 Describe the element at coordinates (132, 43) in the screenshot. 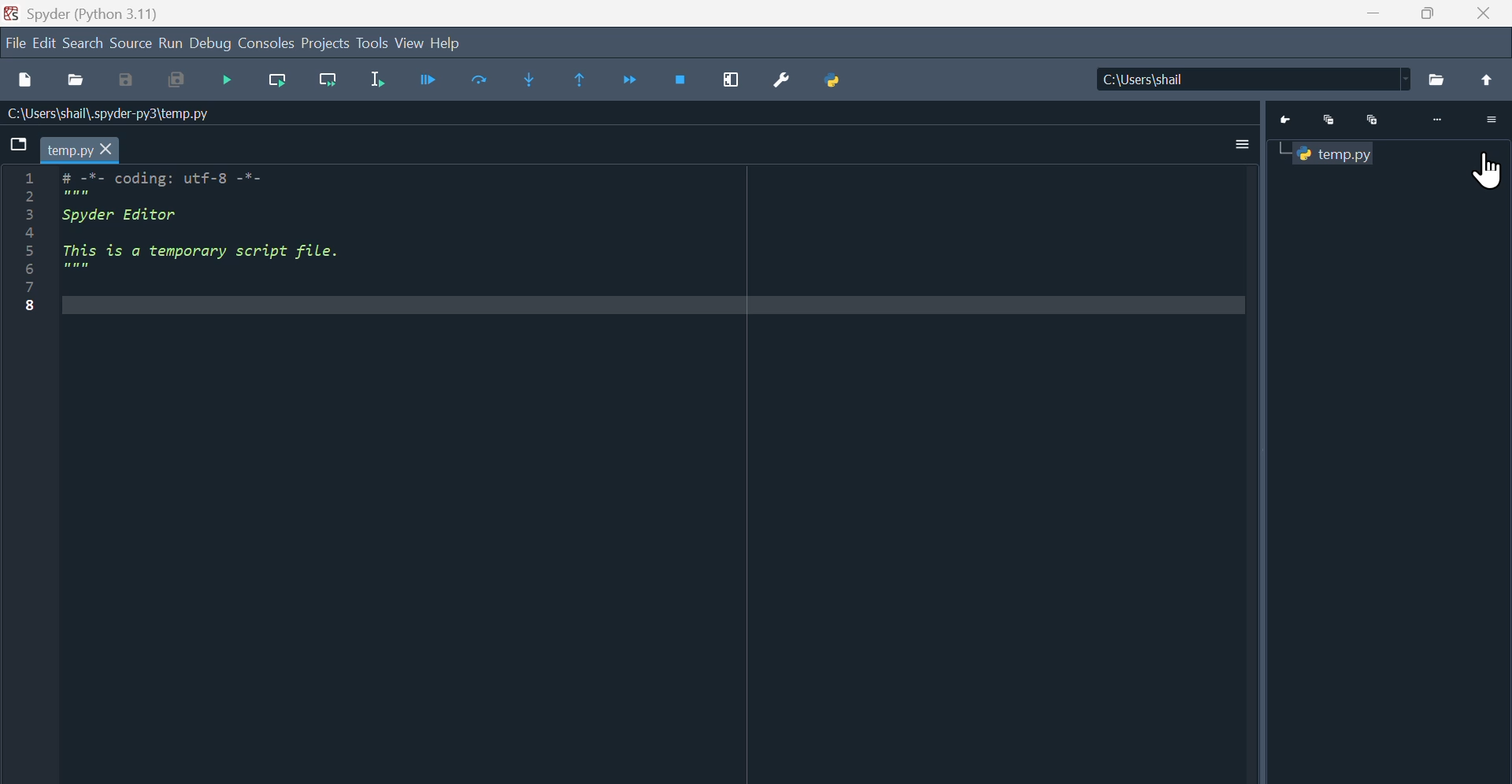

I see `Source` at that location.